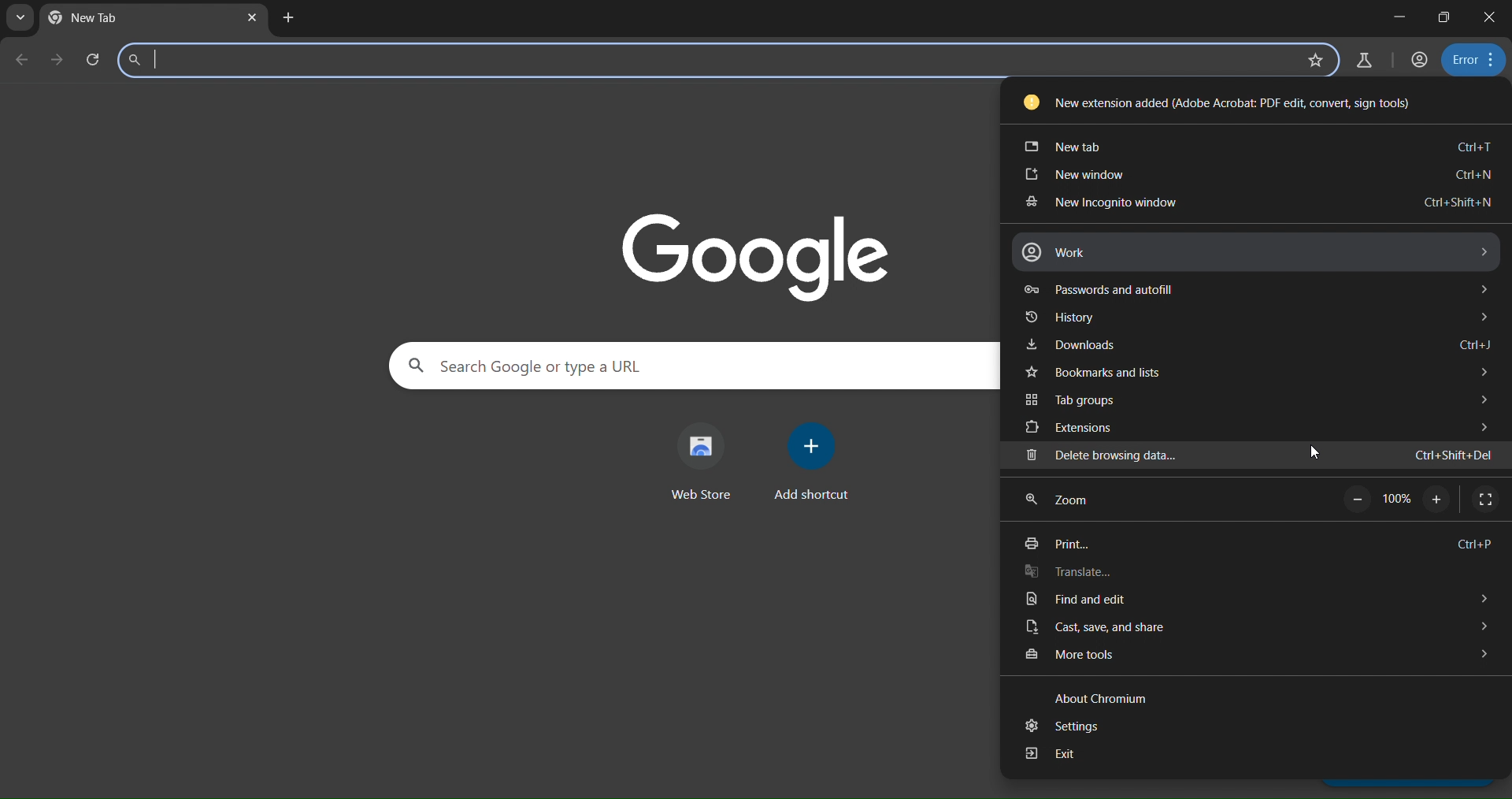 The height and width of the screenshot is (799, 1512). I want to click on cursor, so click(1315, 455).